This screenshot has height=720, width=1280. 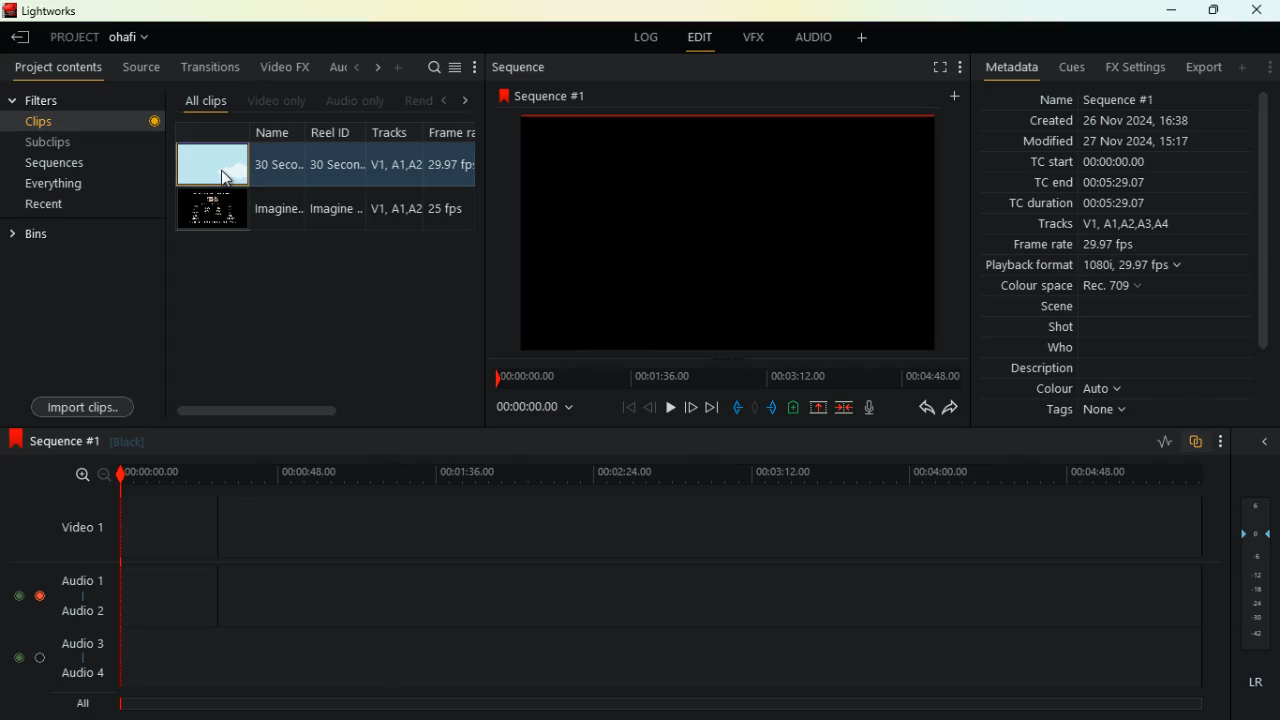 I want to click on tc end, so click(x=1093, y=184).